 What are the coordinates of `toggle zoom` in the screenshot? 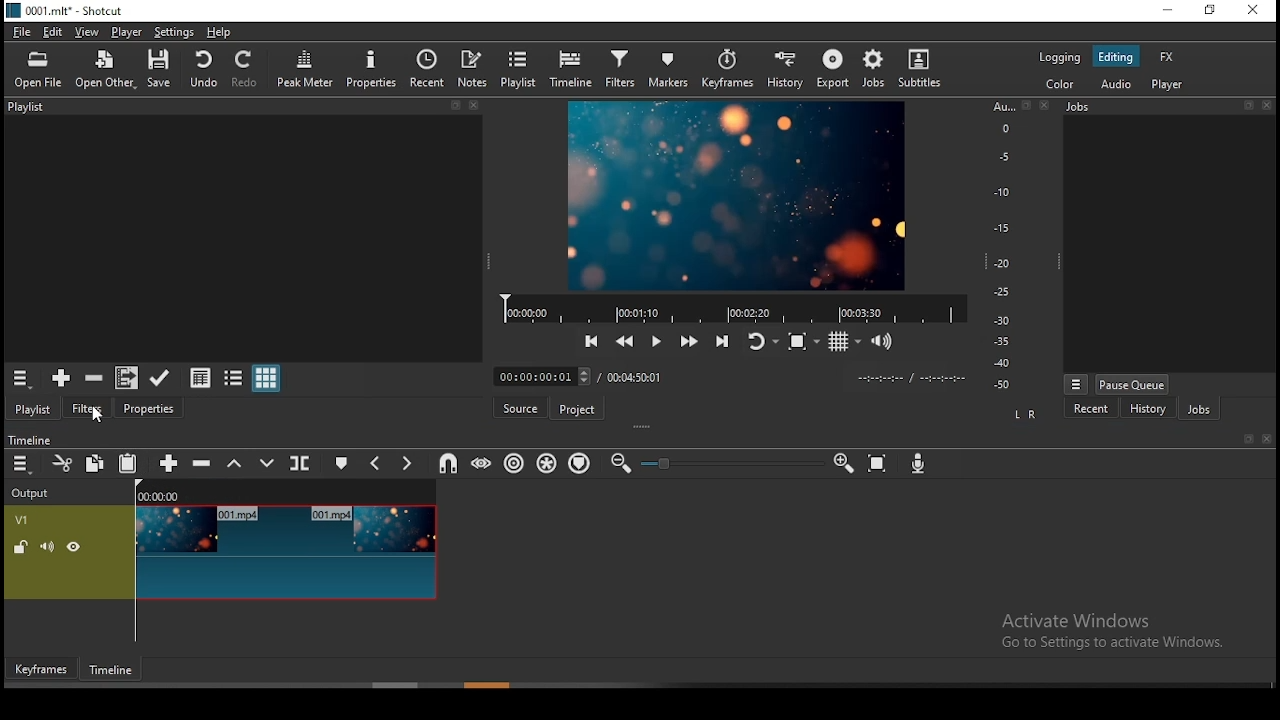 It's located at (799, 342).